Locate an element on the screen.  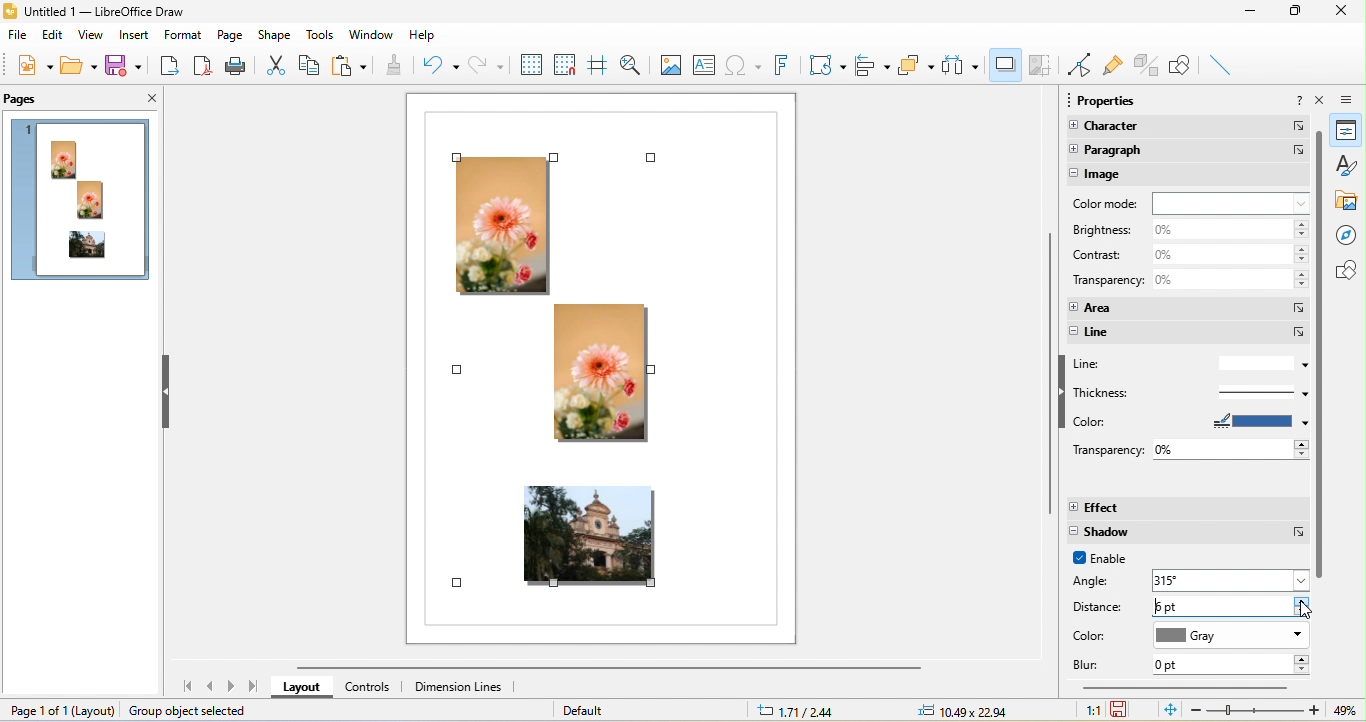
properties is located at coordinates (1112, 100).